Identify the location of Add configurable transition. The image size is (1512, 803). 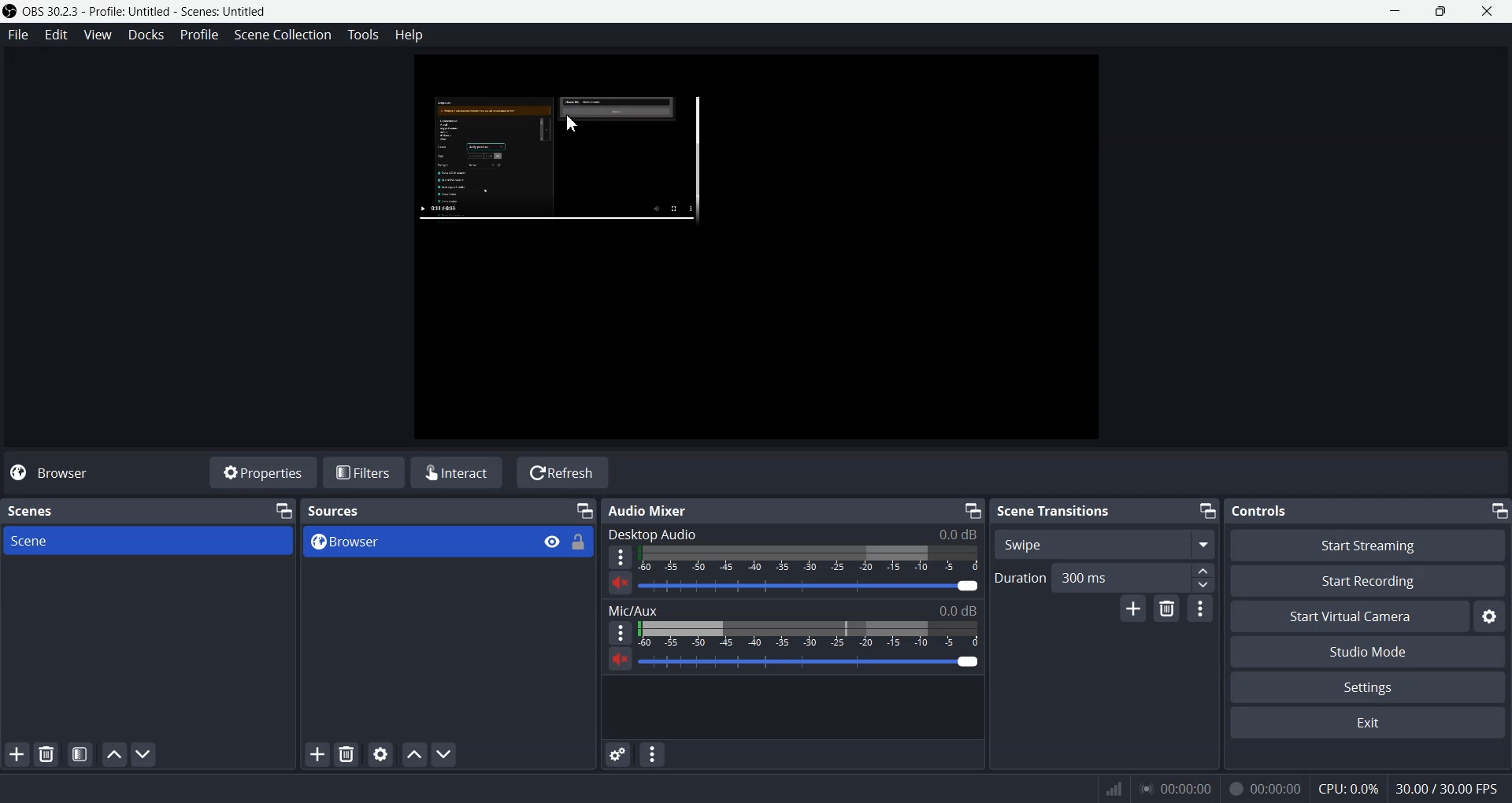
(1134, 609).